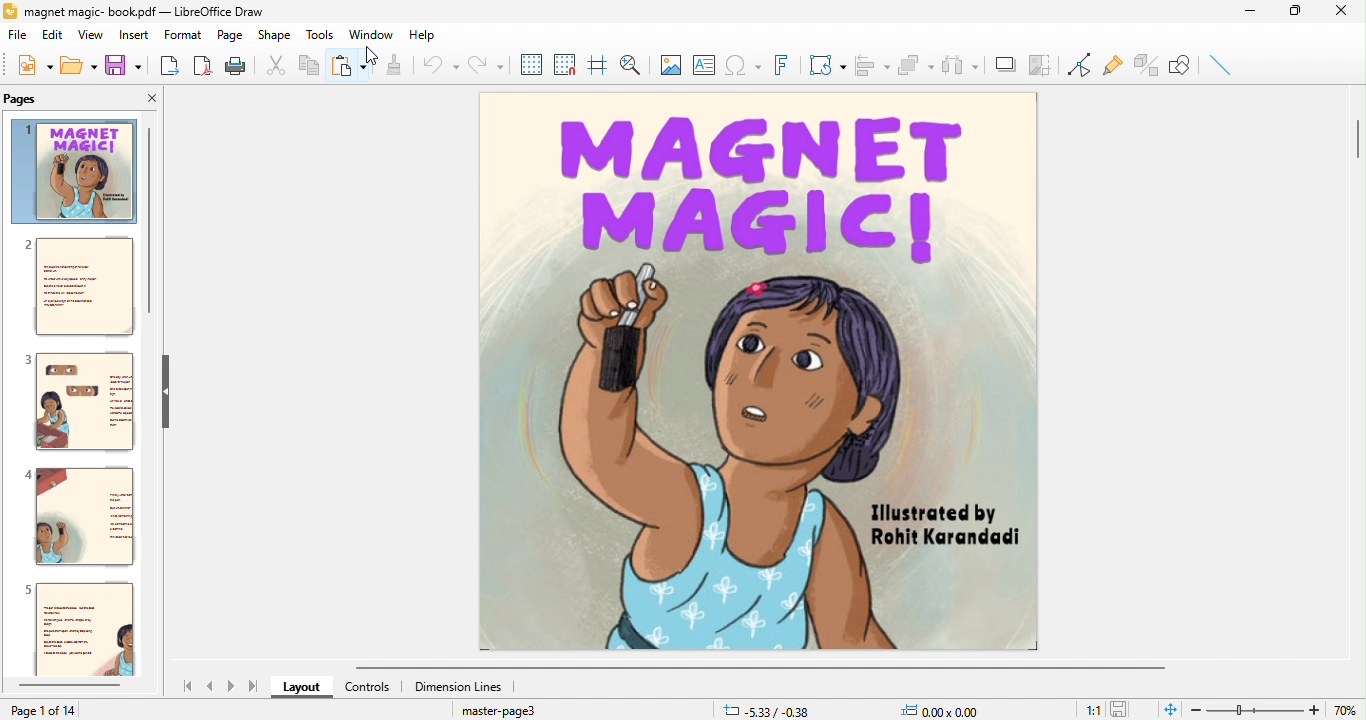  Describe the element at coordinates (77, 67) in the screenshot. I see `open` at that location.